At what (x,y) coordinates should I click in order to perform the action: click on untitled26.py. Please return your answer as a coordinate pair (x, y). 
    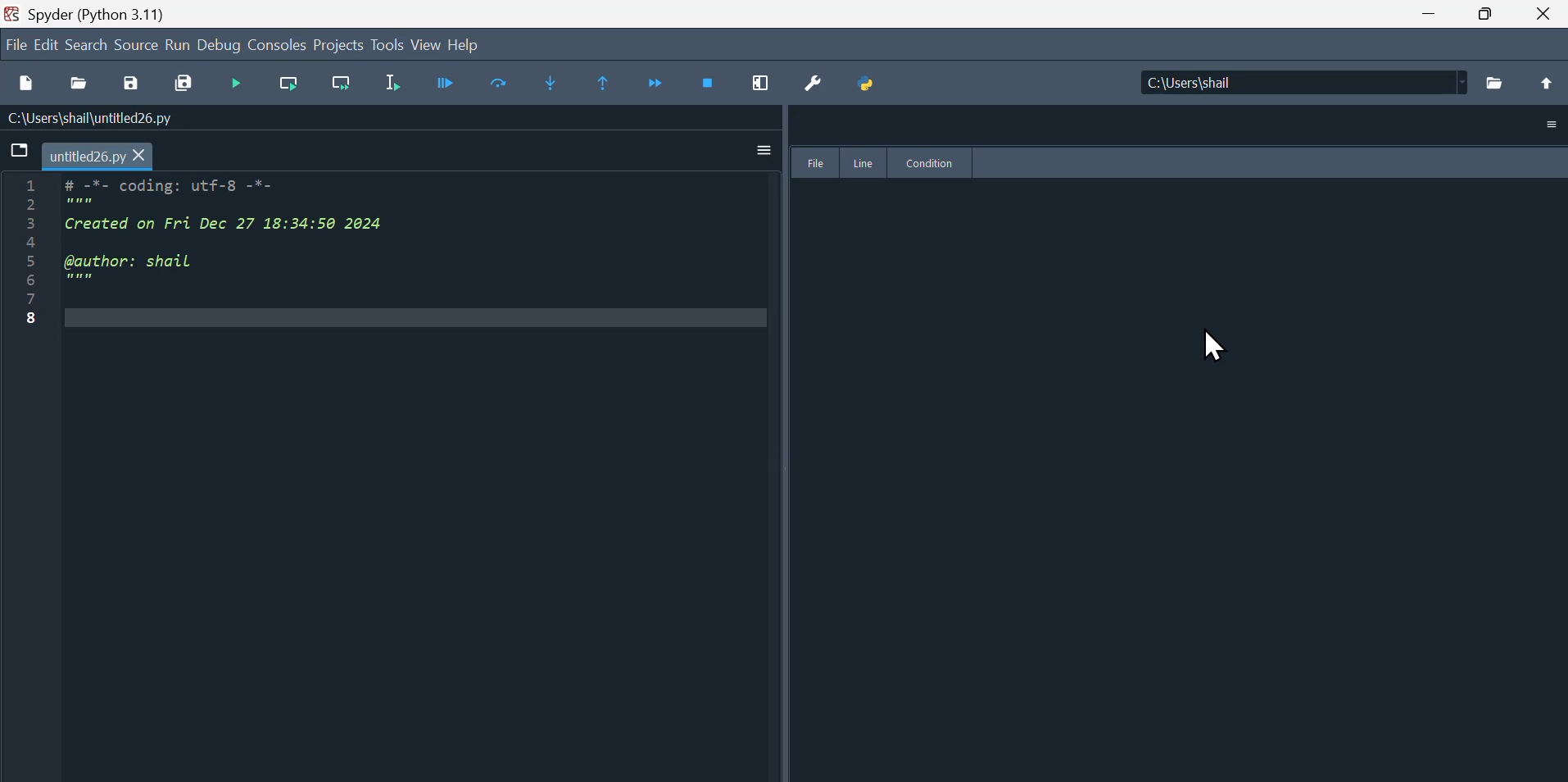
    Looking at the image, I should click on (100, 157).